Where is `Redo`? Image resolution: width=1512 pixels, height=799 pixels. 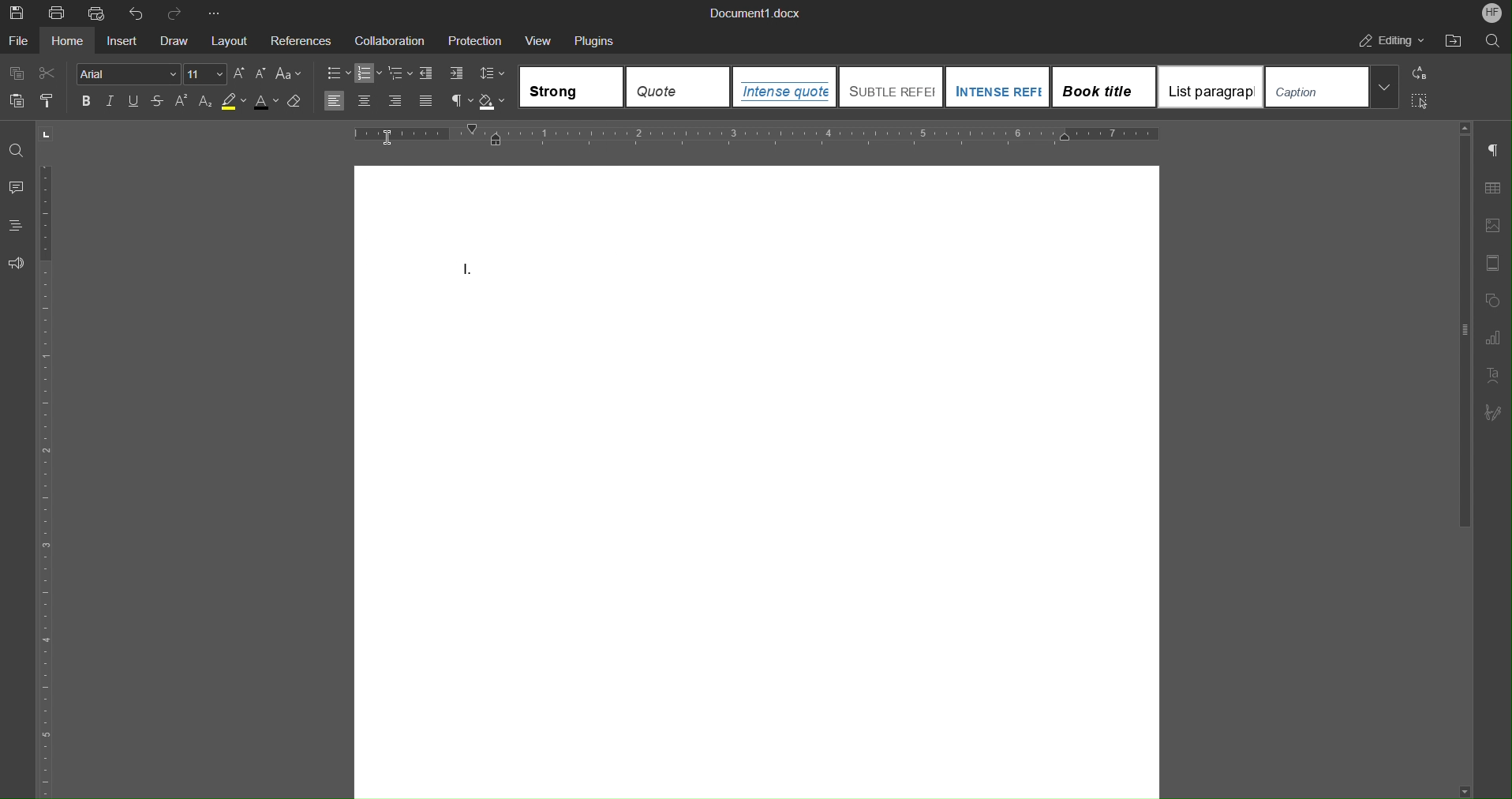 Redo is located at coordinates (174, 13).